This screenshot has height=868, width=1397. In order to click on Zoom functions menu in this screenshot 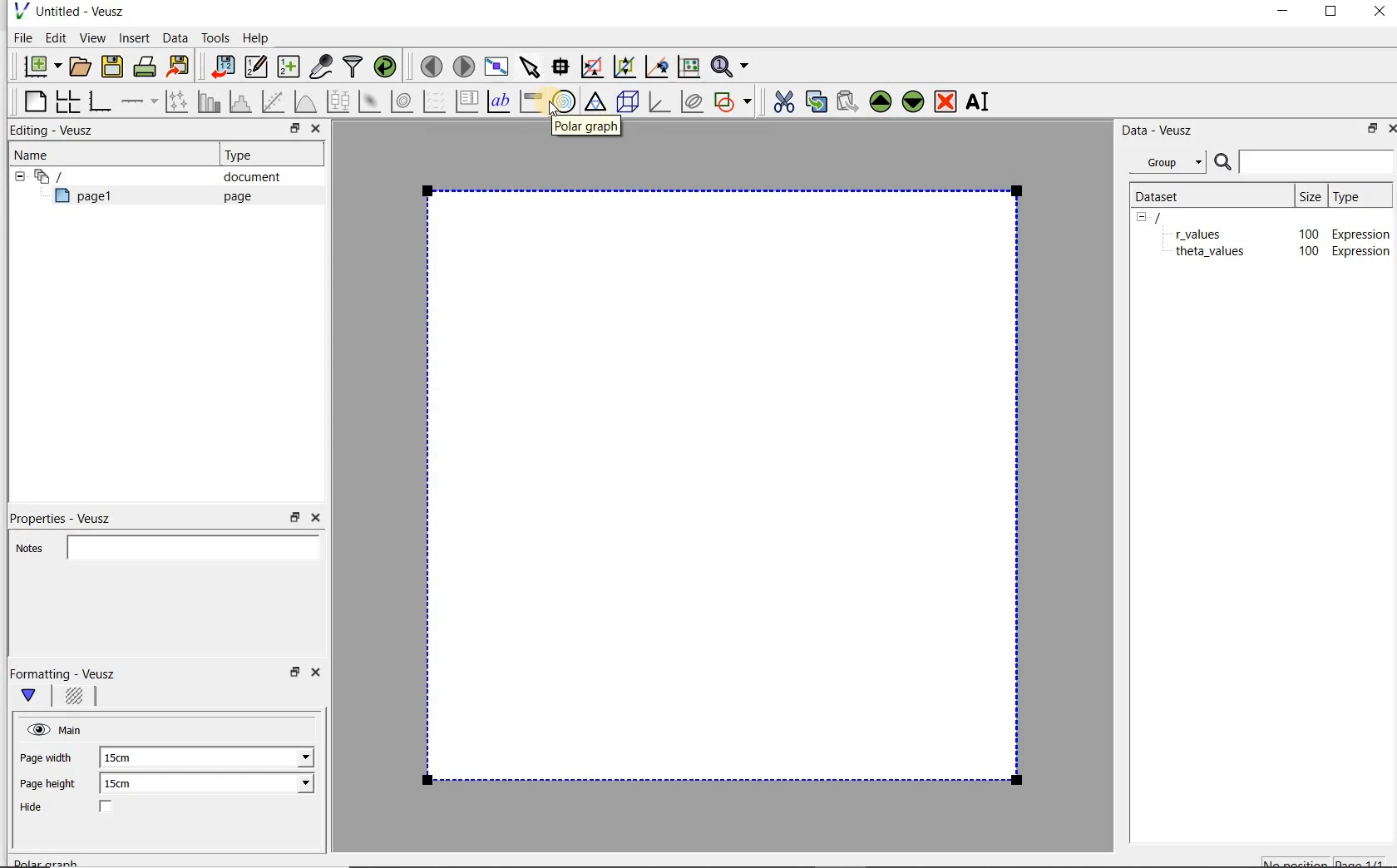, I will do `click(731, 62)`.